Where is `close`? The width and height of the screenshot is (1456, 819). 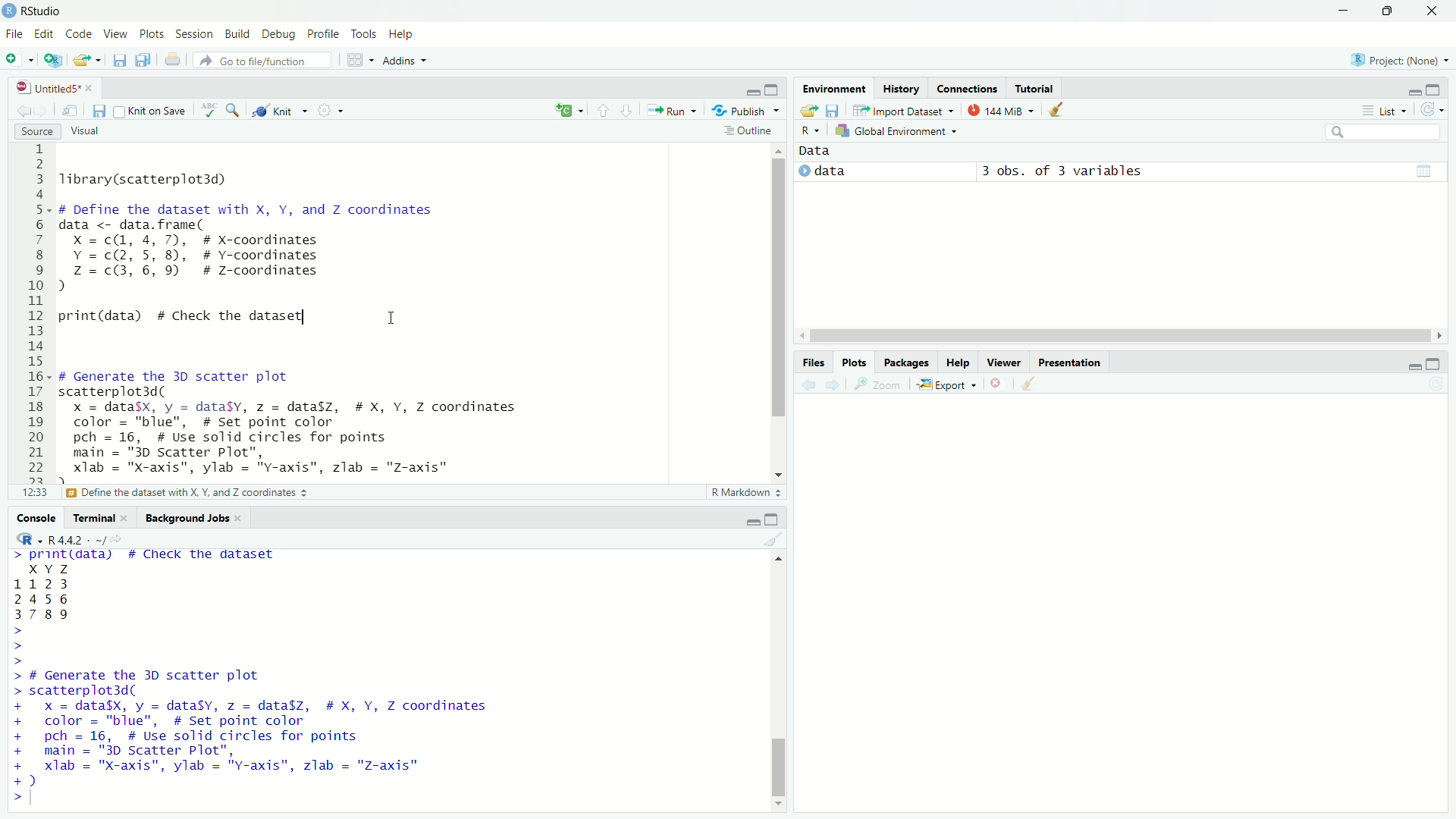
close is located at coordinates (127, 519).